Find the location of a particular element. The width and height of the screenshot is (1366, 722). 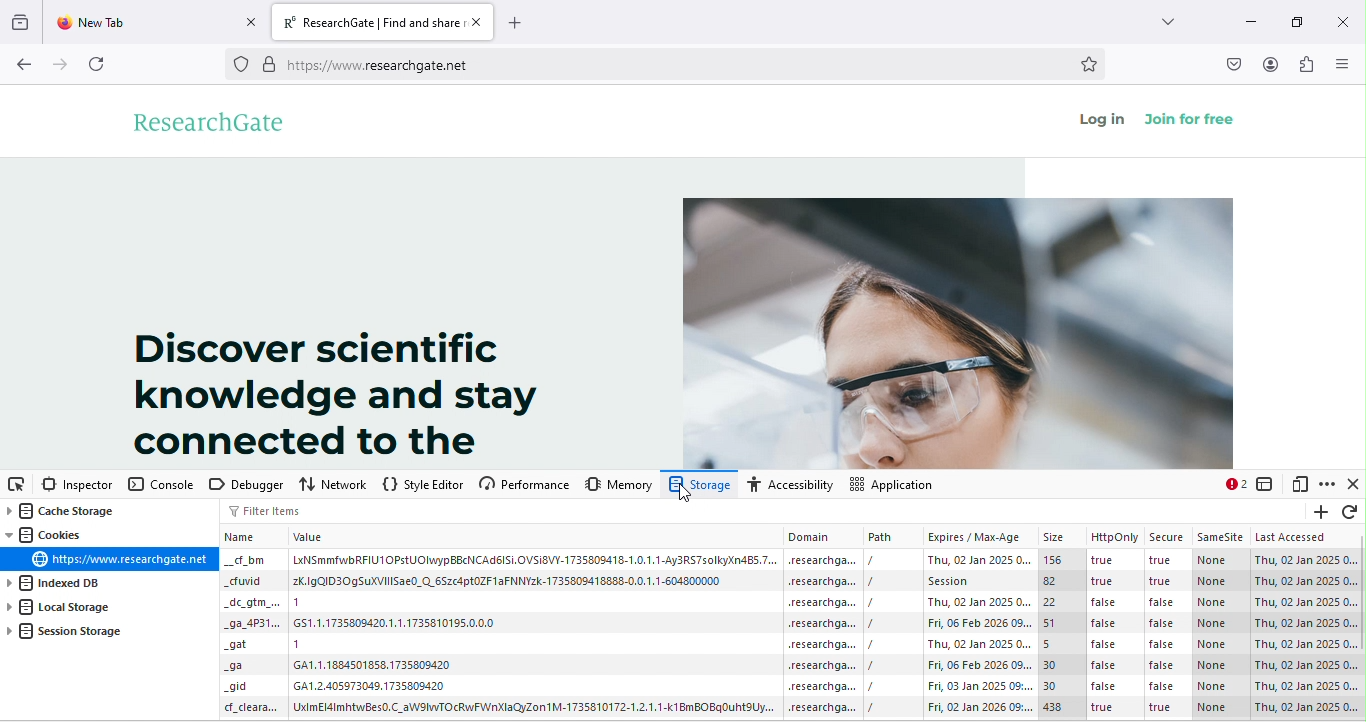

memory is located at coordinates (619, 486).